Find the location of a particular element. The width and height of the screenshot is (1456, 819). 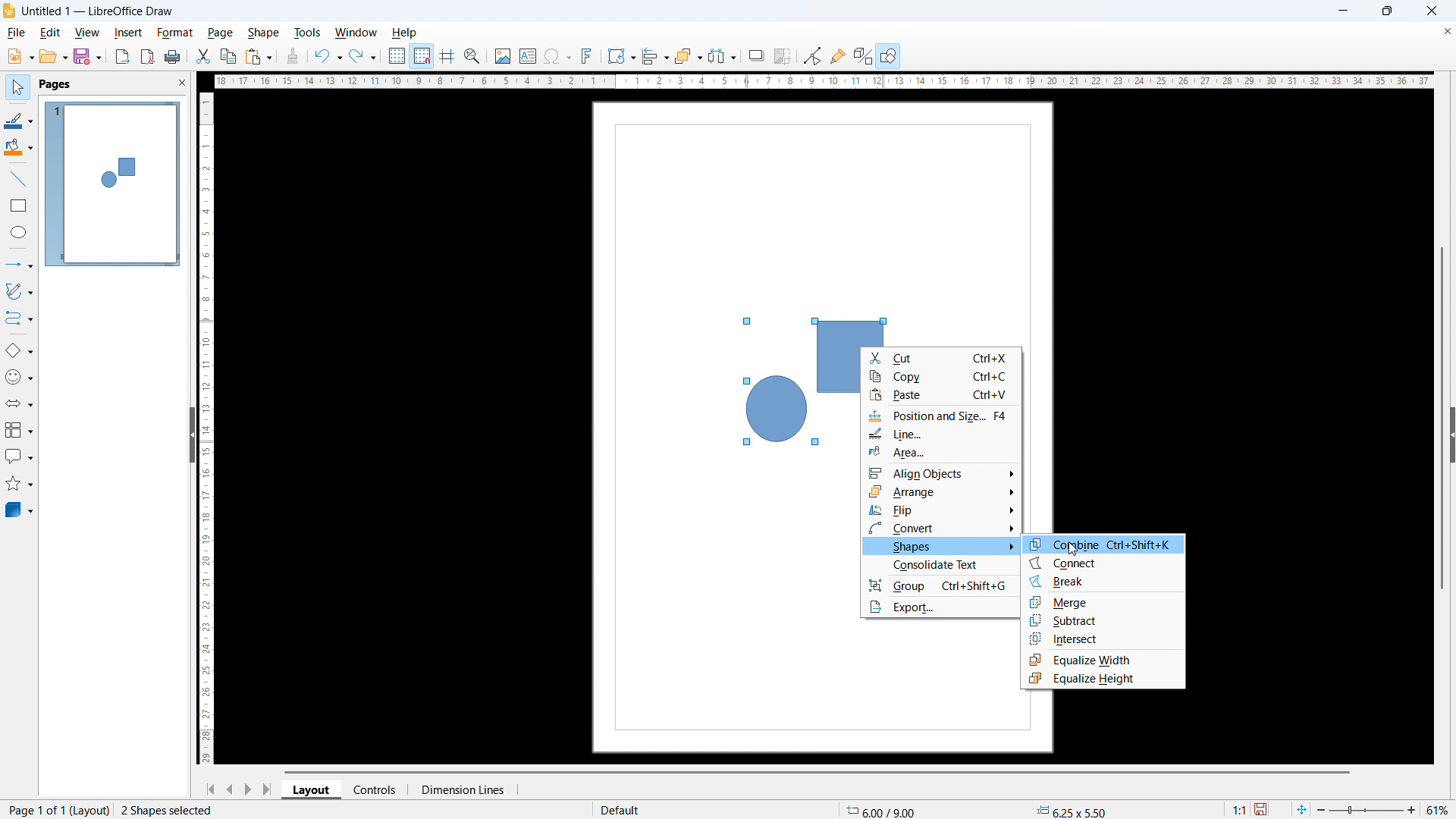

save is located at coordinates (1263, 810).